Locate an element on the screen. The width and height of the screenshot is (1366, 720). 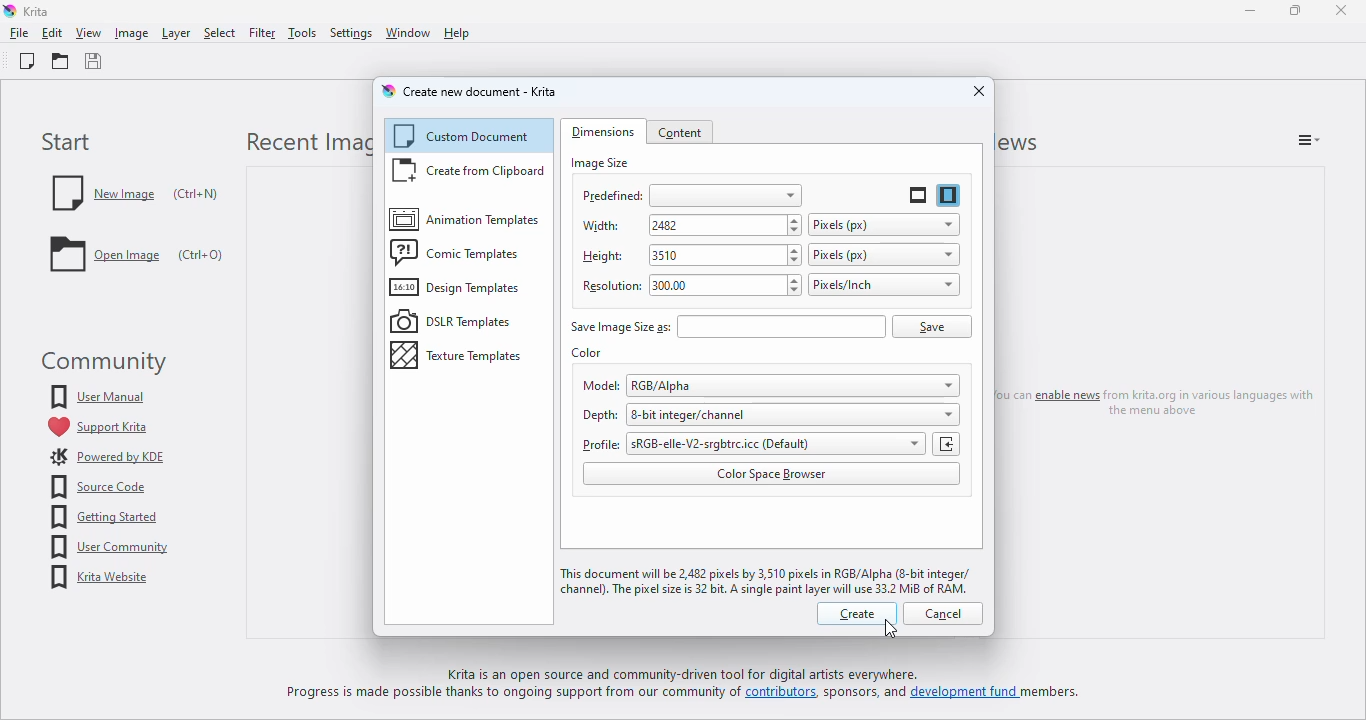
logo is located at coordinates (388, 91).